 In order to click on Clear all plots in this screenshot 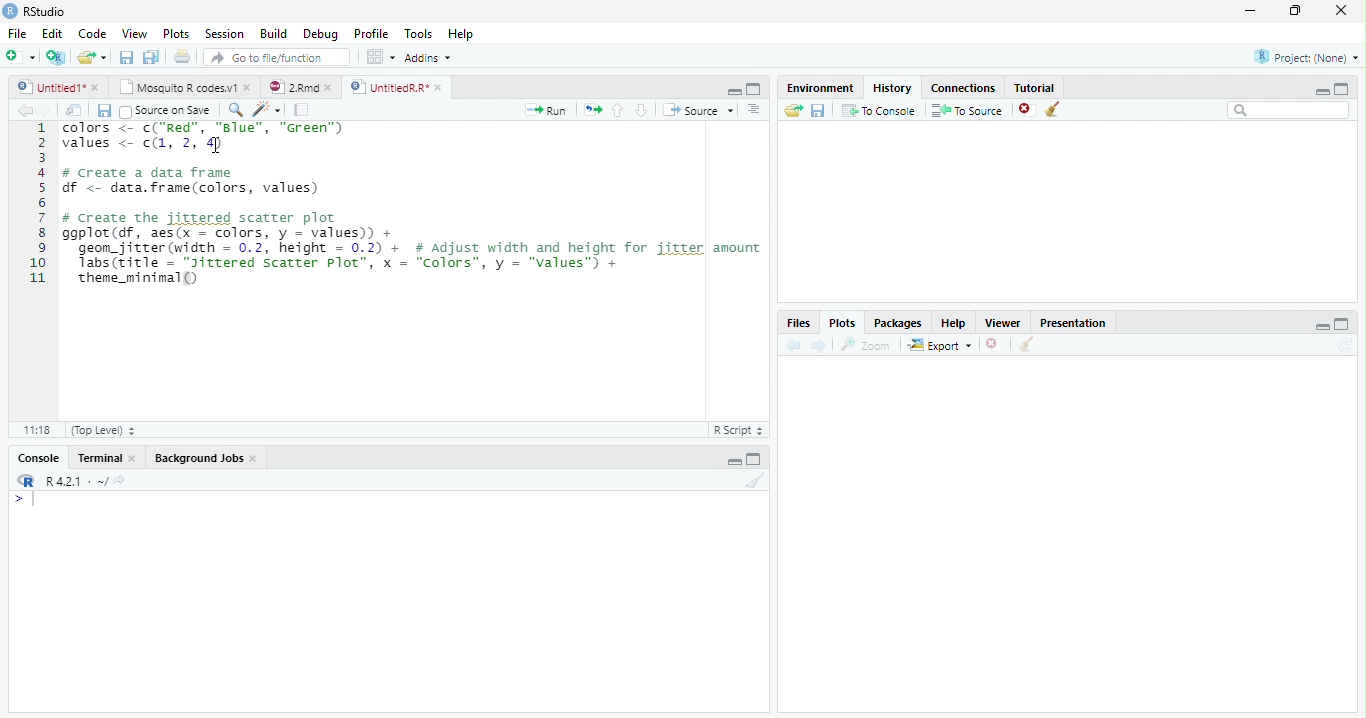, I will do `click(1025, 344)`.